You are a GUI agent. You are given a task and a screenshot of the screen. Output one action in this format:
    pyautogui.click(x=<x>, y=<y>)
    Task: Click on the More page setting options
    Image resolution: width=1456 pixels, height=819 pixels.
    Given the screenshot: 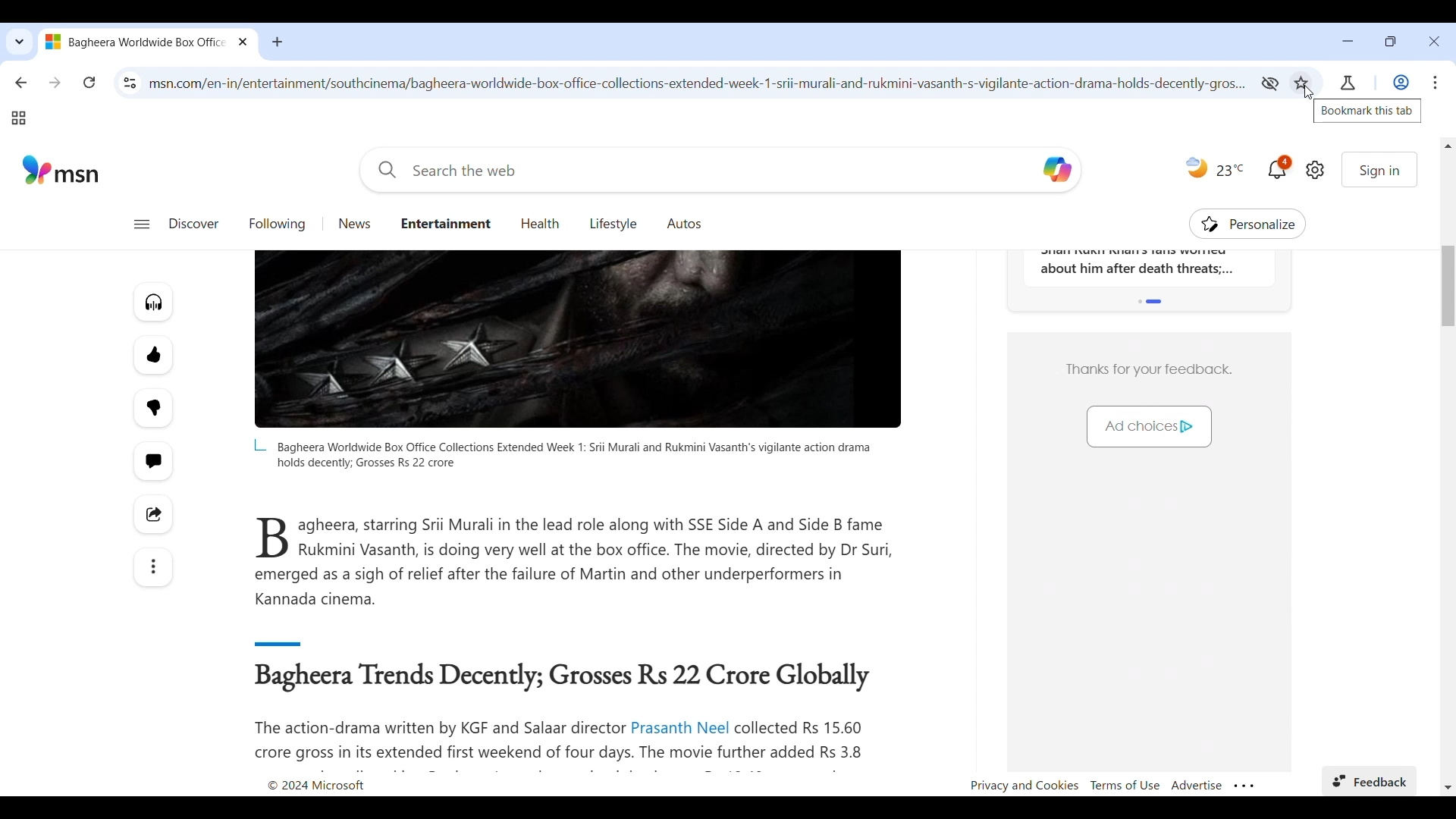 What is the action you would take?
    pyautogui.click(x=1244, y=786)
    